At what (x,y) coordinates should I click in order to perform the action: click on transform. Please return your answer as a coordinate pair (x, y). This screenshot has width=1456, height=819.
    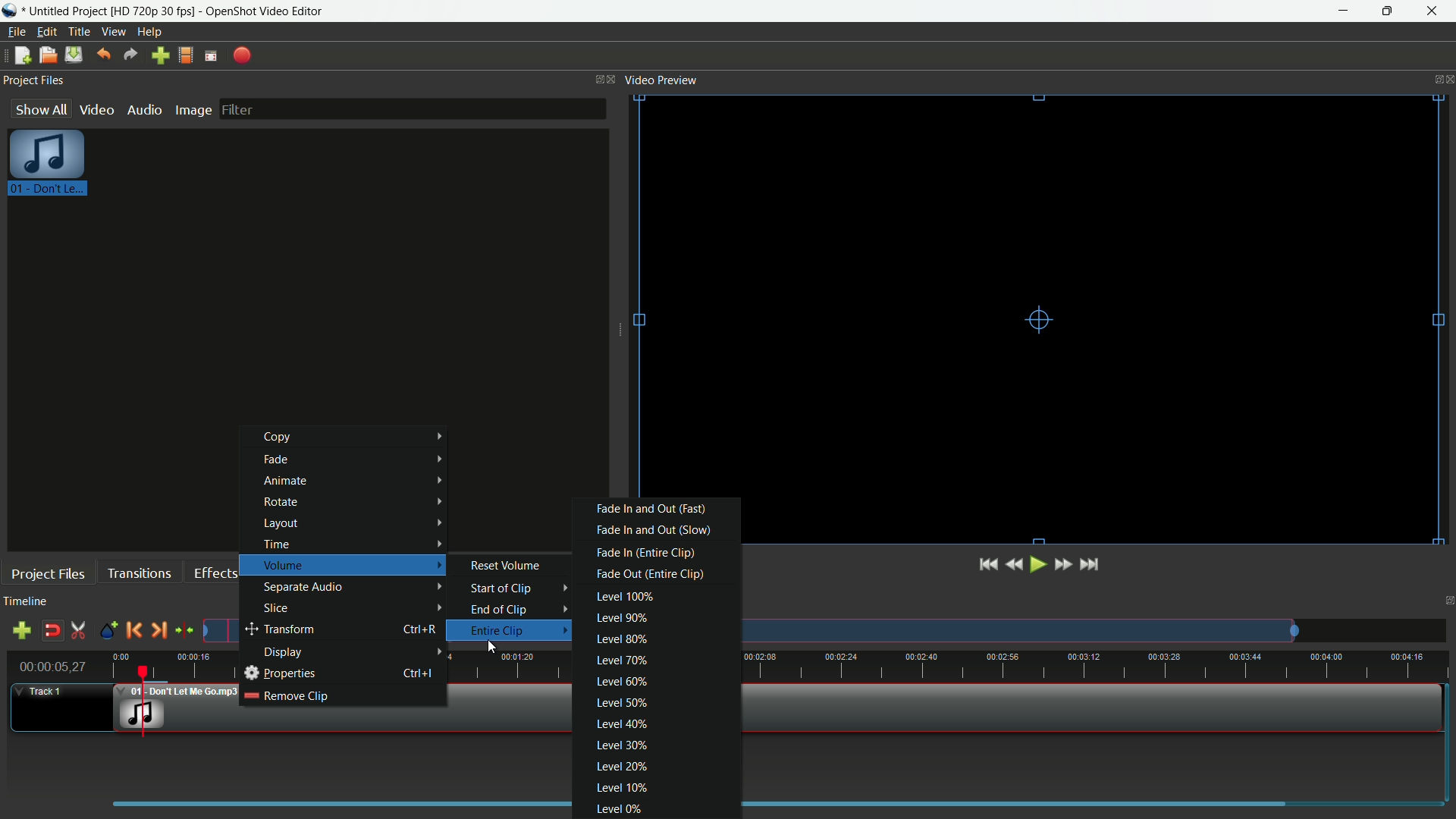
    Looking at the image, I should click on (317, 630).